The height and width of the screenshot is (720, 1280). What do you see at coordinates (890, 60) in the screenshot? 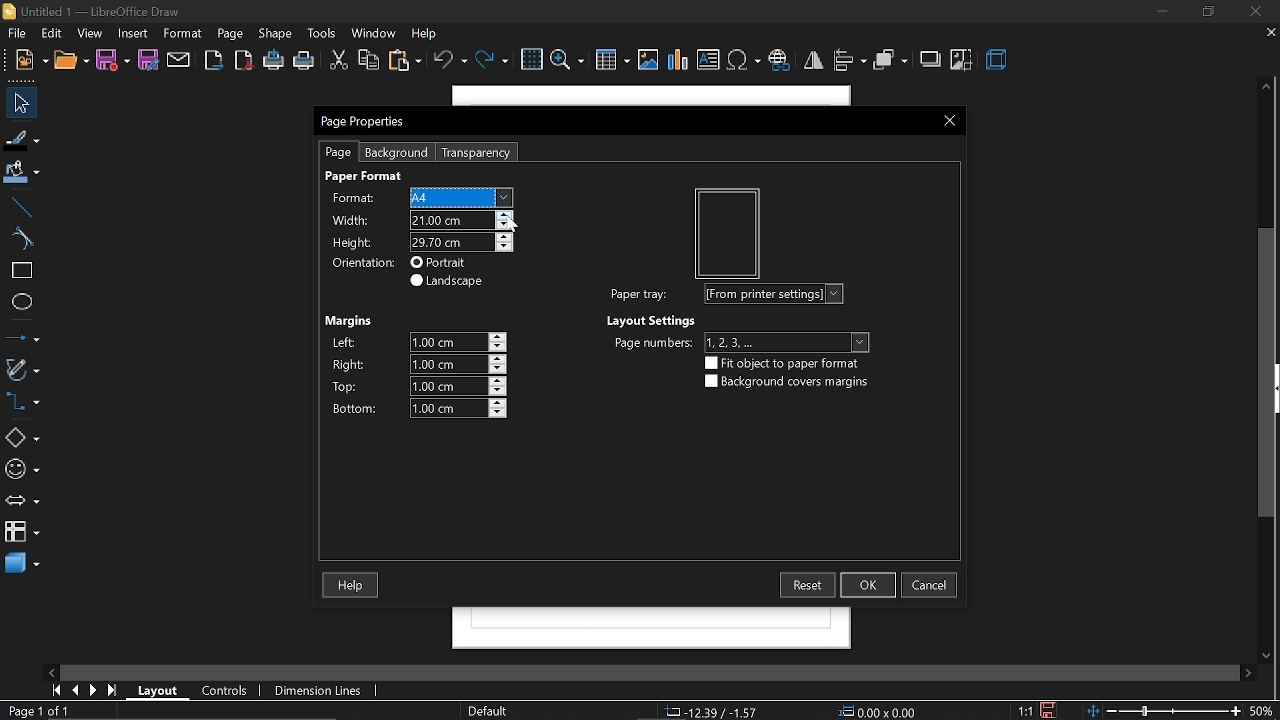
I see `arrange` at bounding box center [890, 60].